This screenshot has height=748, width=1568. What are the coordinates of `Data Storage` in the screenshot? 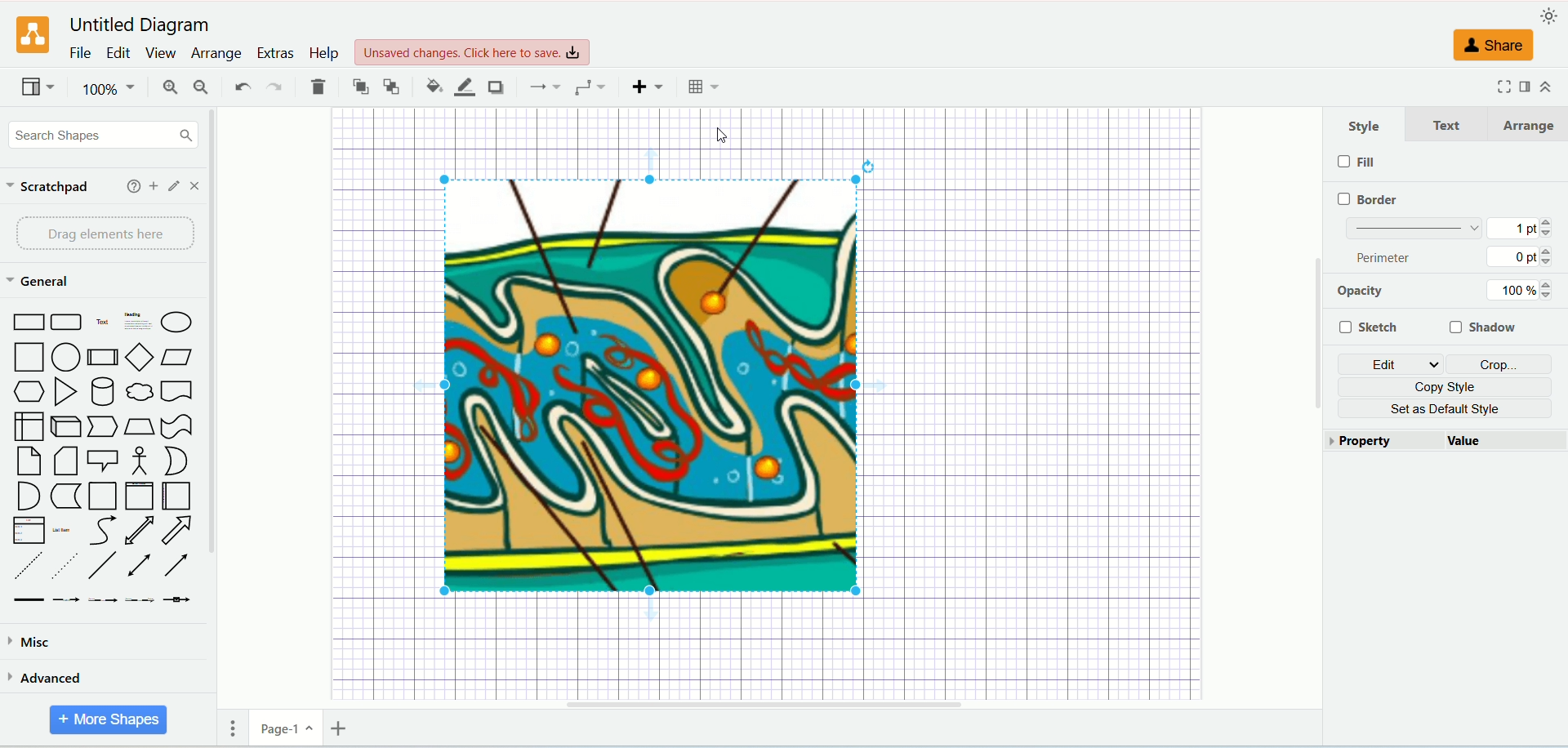 It's located at (65, 497).